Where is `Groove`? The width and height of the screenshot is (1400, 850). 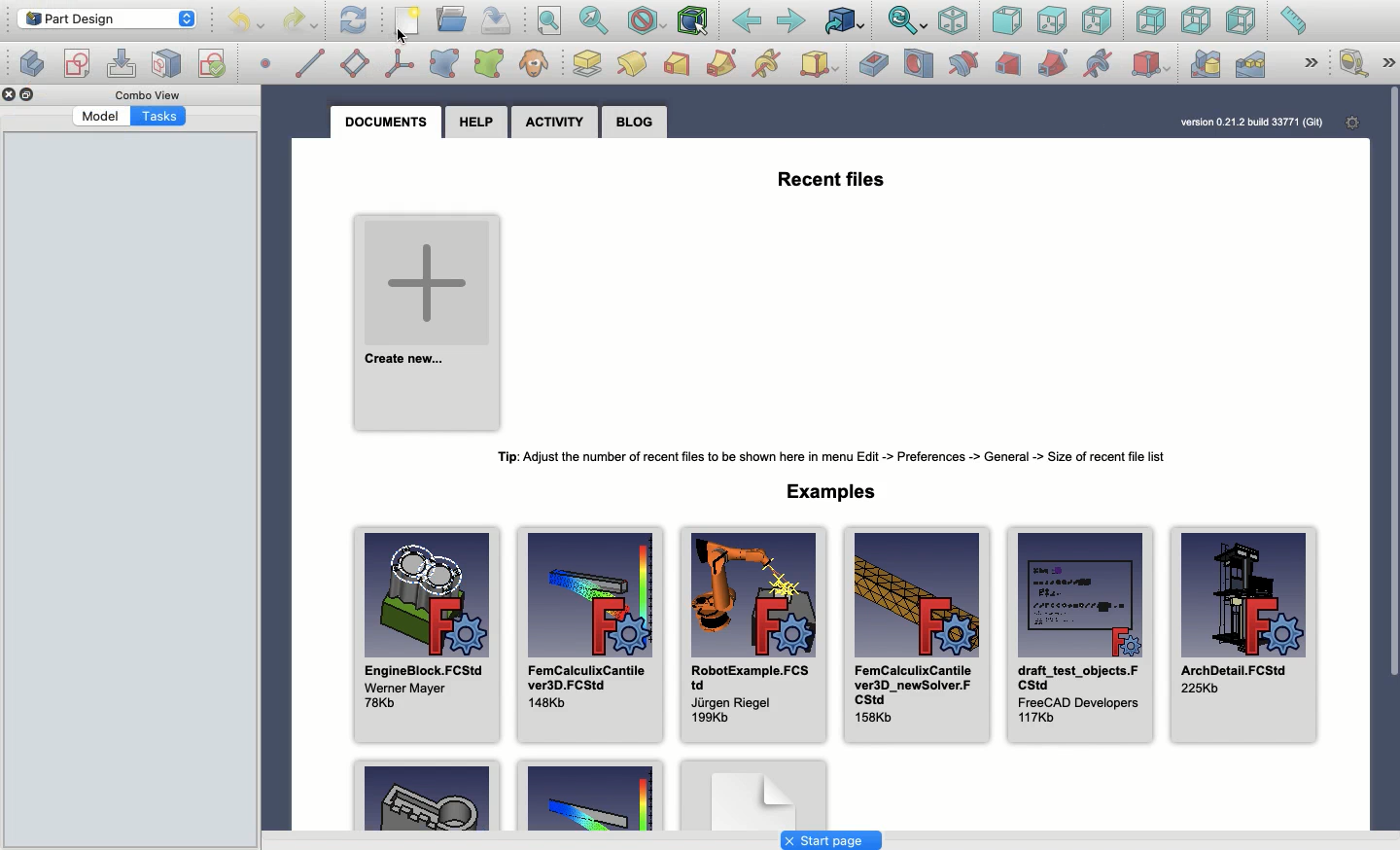
Groove is located at coordinates (962, 64).